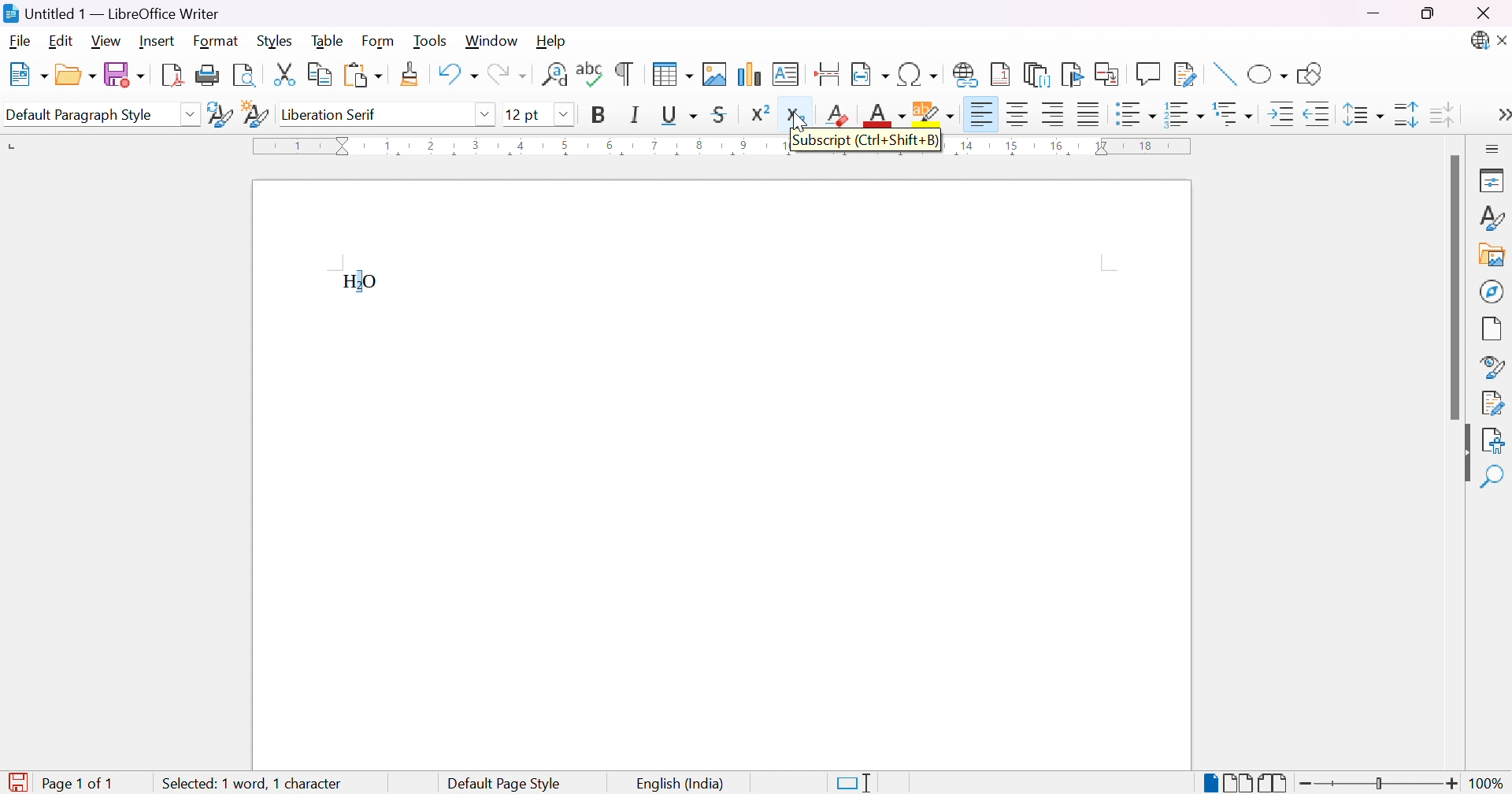  Describe the element at coordinates (1376, 13) in the screenshot. I see `Minimize` at that location.